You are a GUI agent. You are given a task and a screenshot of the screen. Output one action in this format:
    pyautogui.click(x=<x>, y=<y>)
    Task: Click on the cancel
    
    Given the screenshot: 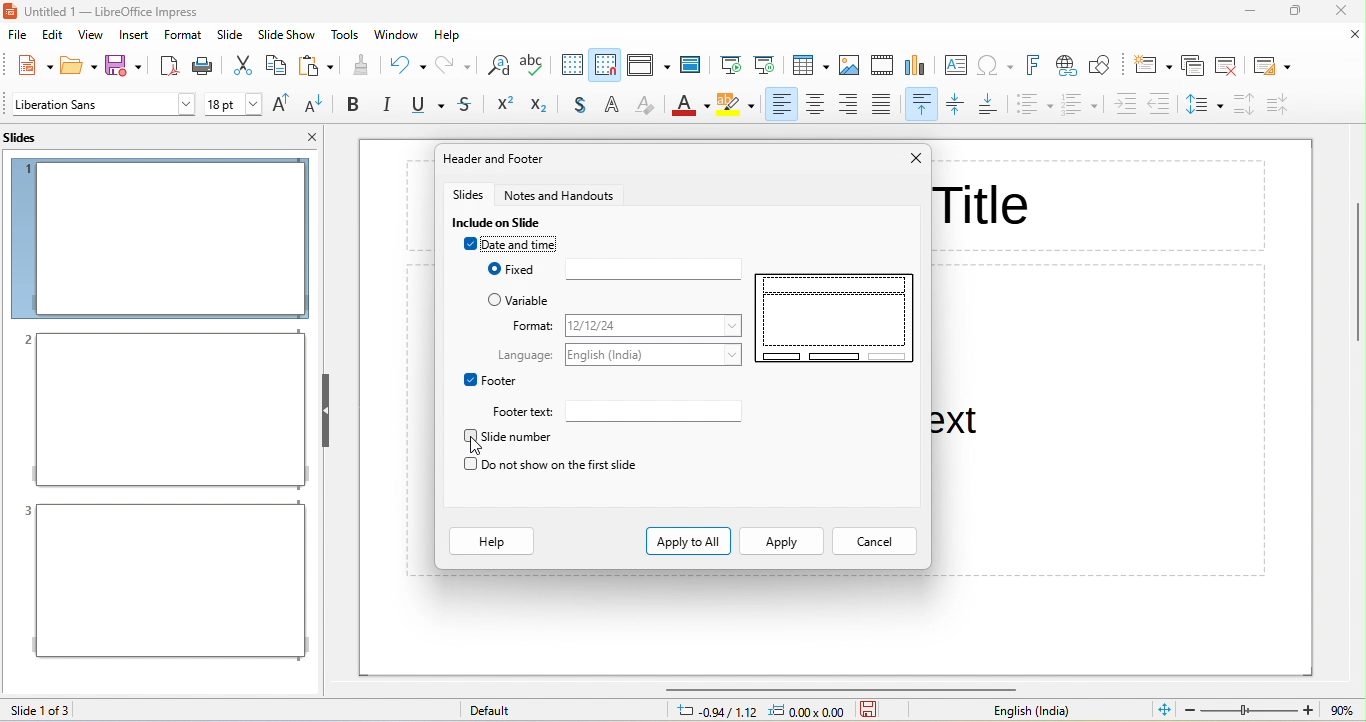 What is the action you would take?
    pyautogui.click(x=874, y=542)
    